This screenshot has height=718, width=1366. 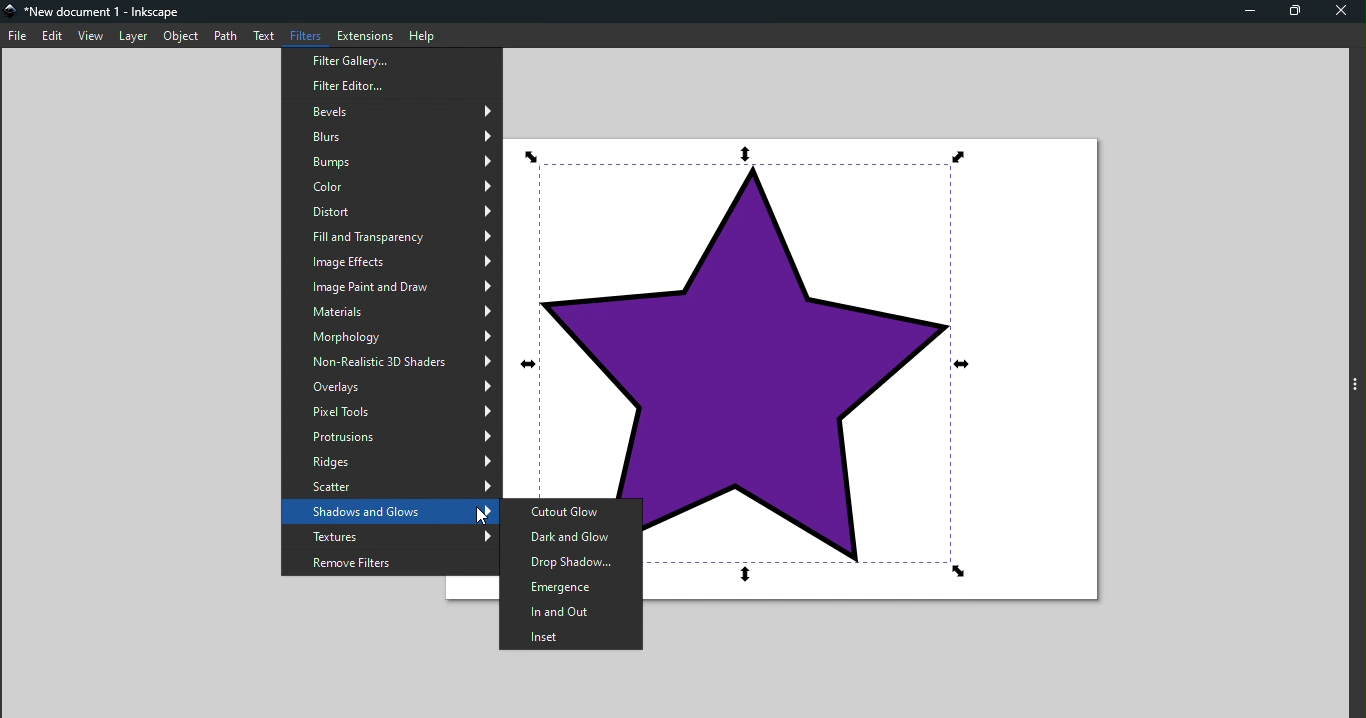 I want to click on In and out, so click(x=569, y=613).